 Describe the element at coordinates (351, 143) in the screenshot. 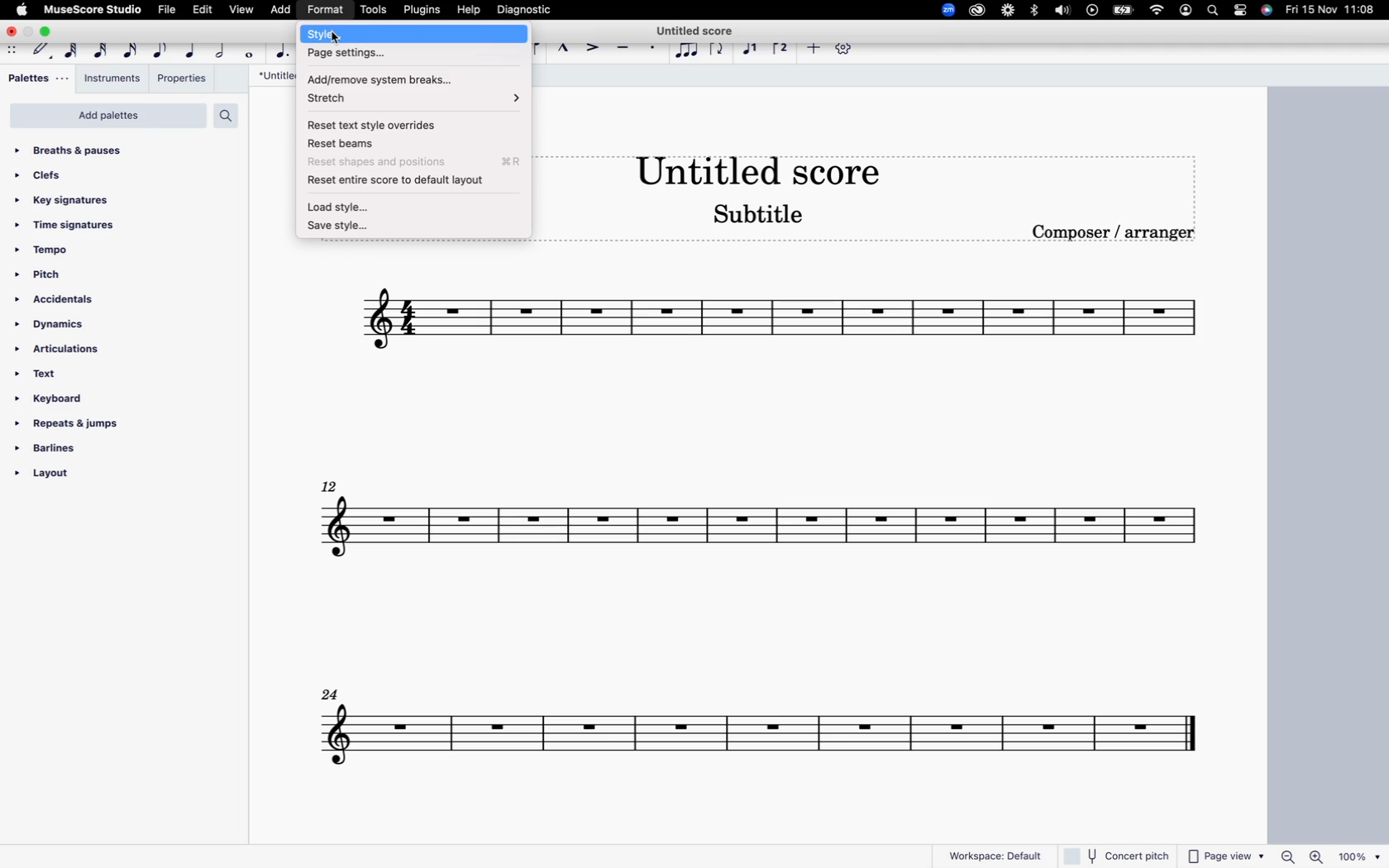

I see `reset beams` at that location.